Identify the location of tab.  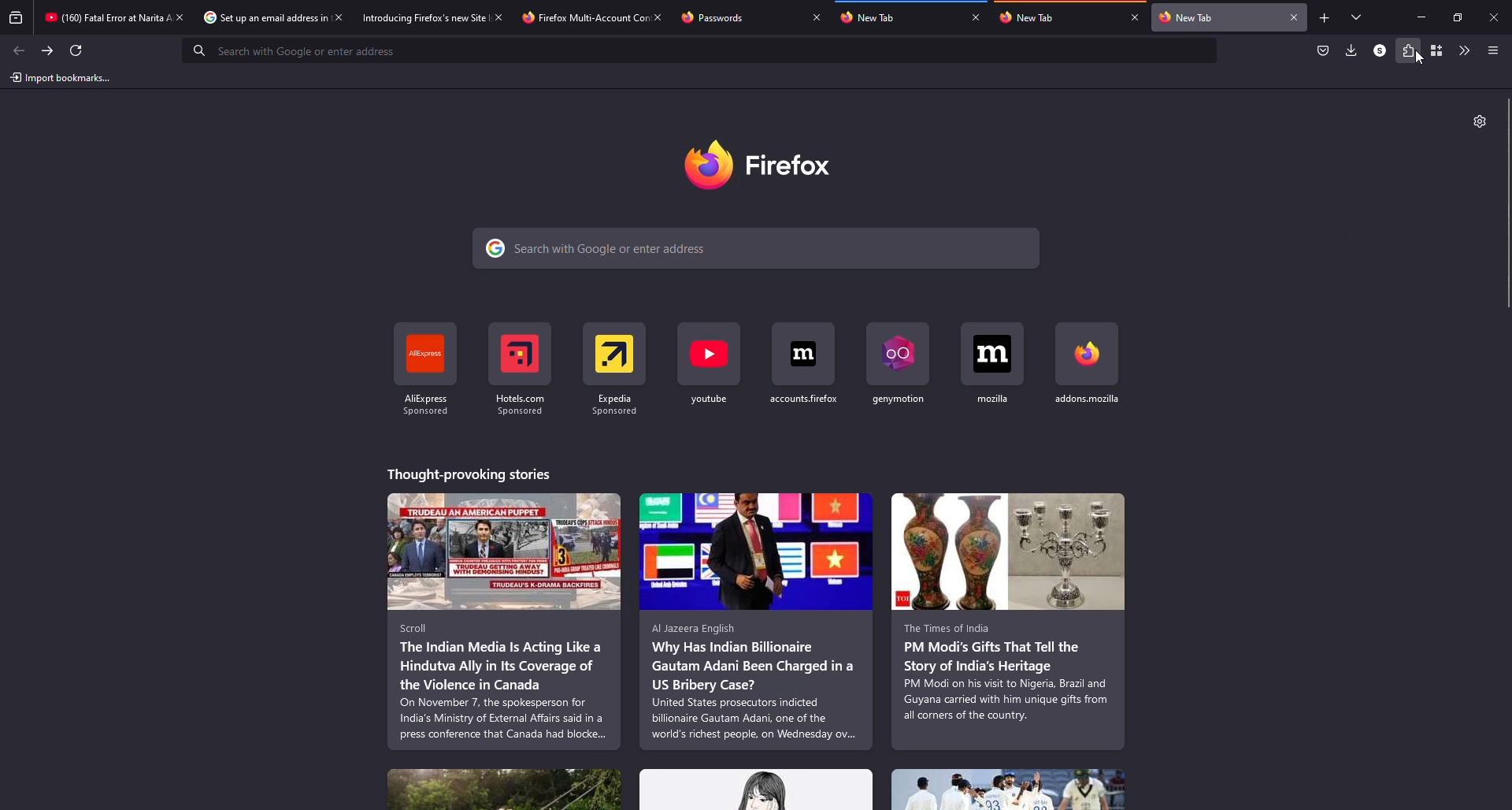
(575, 16).